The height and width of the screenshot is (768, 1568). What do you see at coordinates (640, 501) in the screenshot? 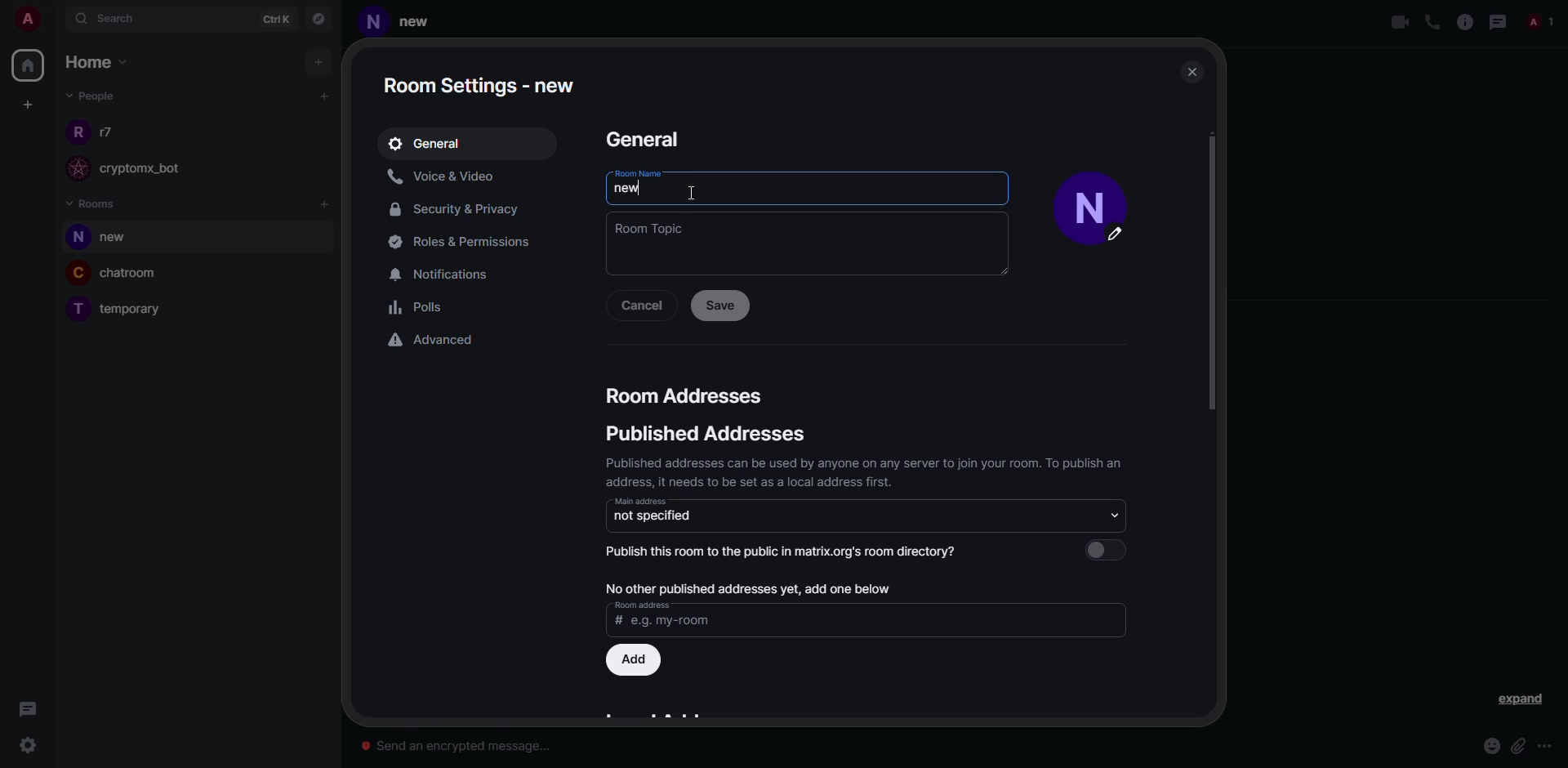
I see `main address` at bounding box center [640, 501].